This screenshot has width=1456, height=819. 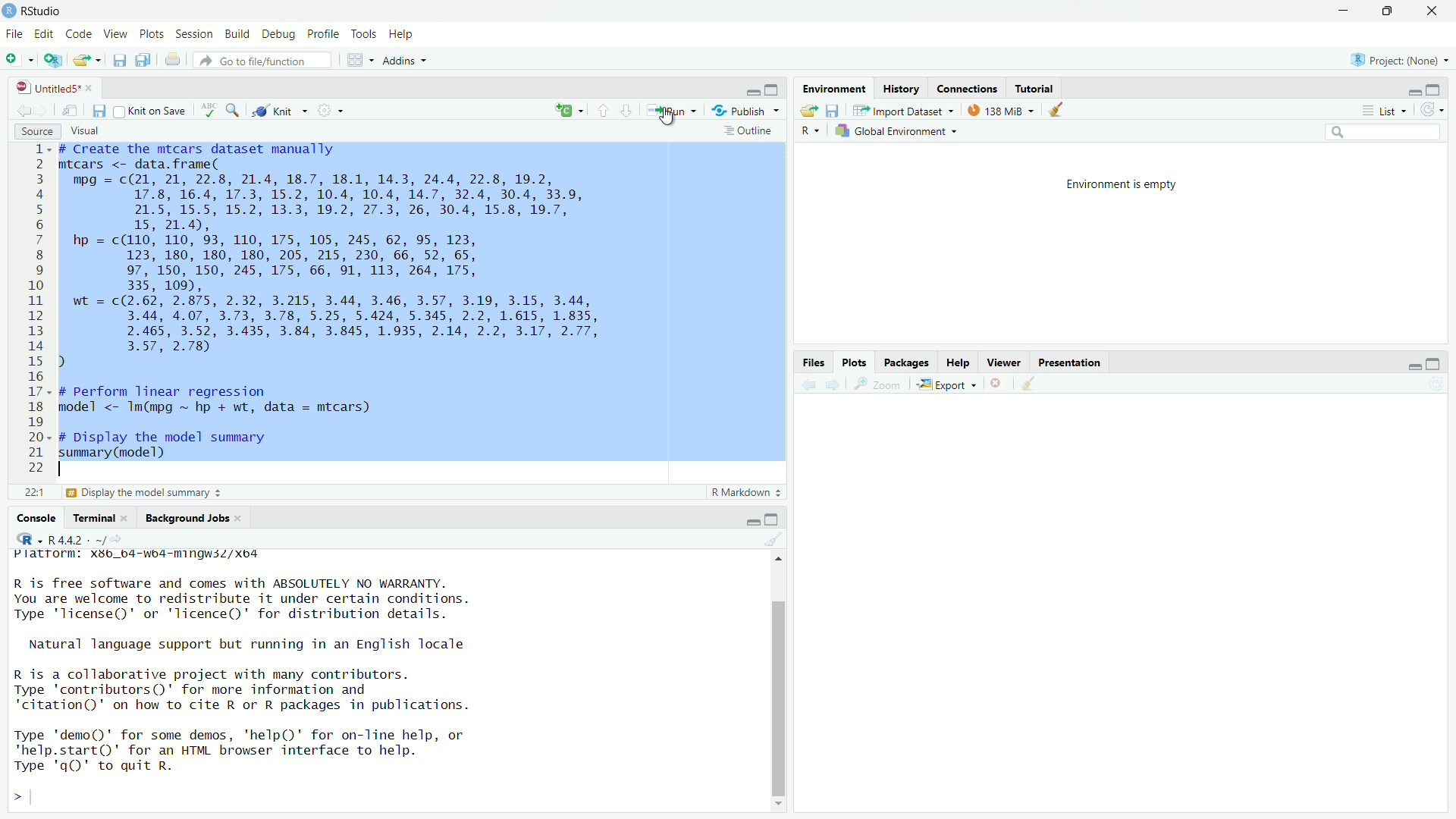 What do you see at coordinates (899, 89) in the screenshot?
I see `History` at bounding box center [899, 89].